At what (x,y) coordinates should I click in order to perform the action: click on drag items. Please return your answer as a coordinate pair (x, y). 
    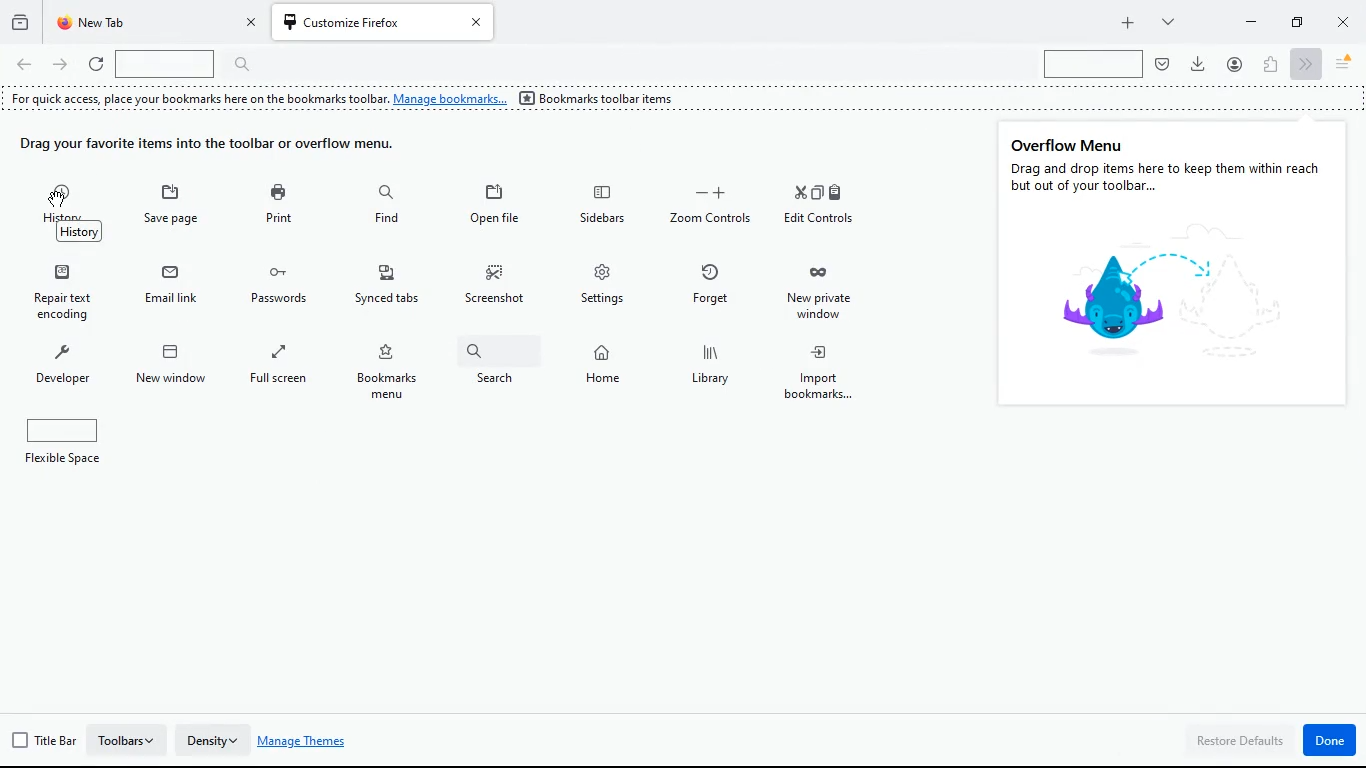
    Looking at the image, I should click on (222, 146).